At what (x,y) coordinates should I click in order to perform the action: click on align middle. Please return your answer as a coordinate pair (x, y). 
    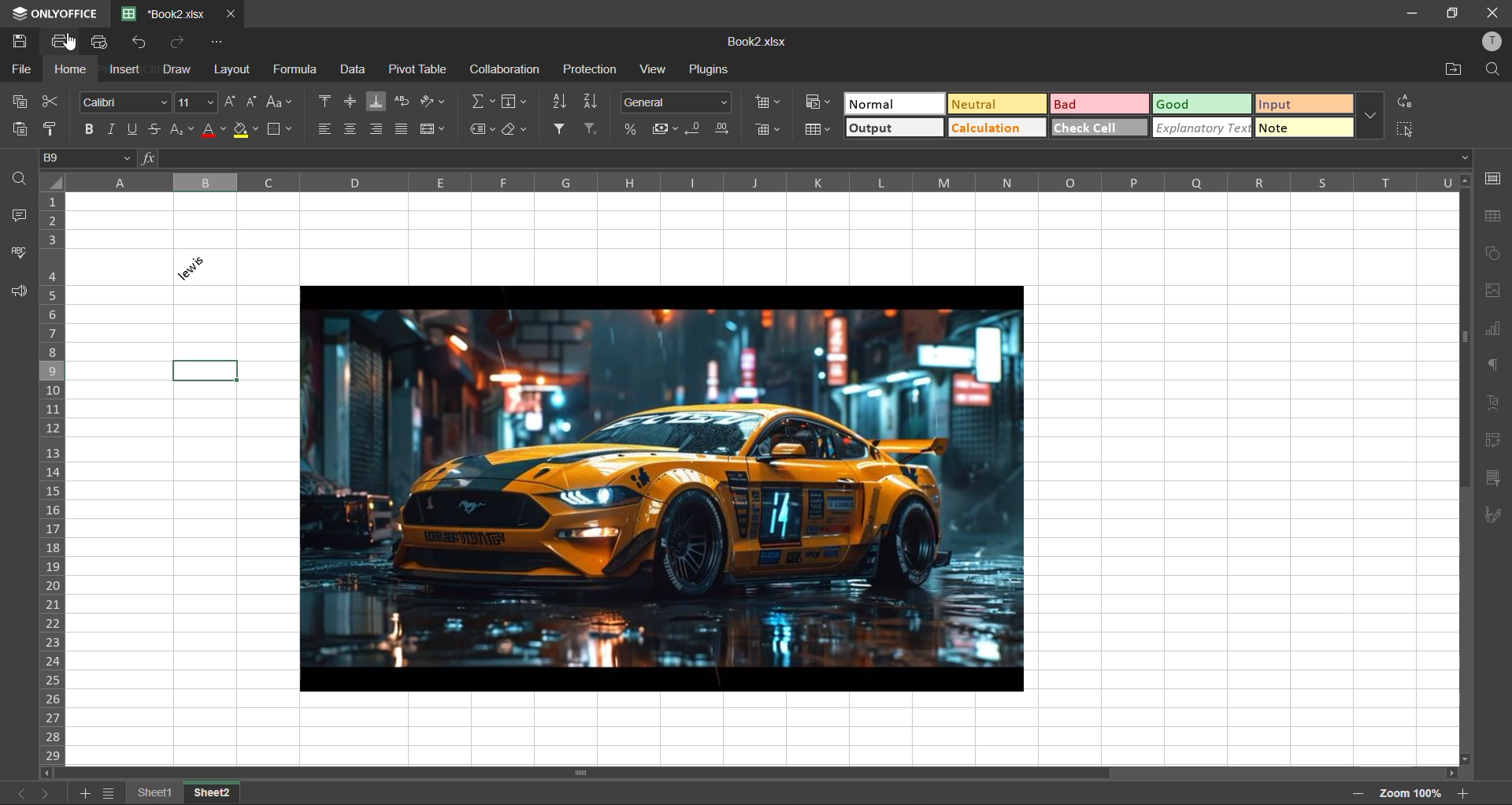
    Looking at the image, I should click on (350, 102).